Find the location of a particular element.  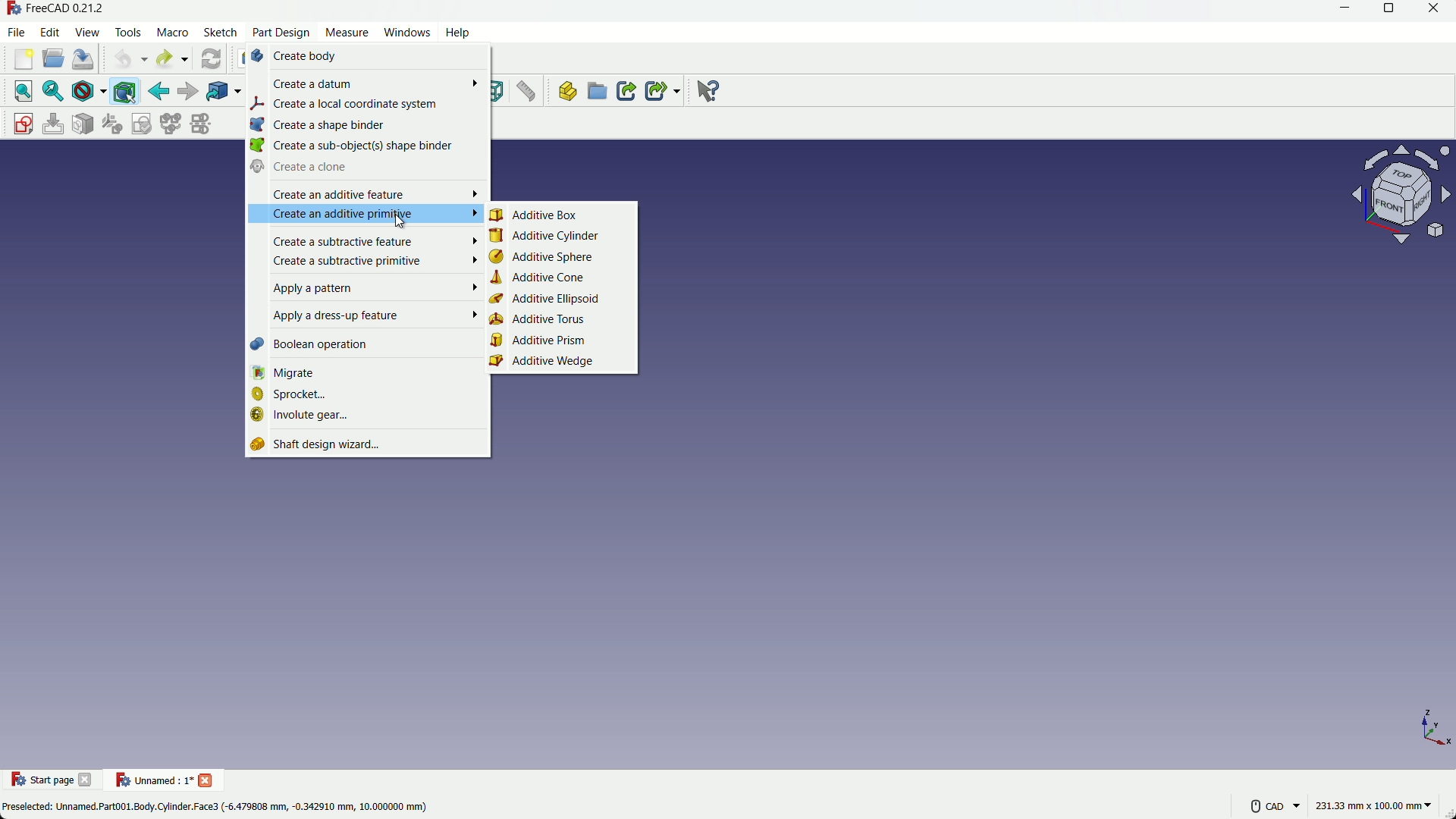

create link is located at coordinates (626, 91).